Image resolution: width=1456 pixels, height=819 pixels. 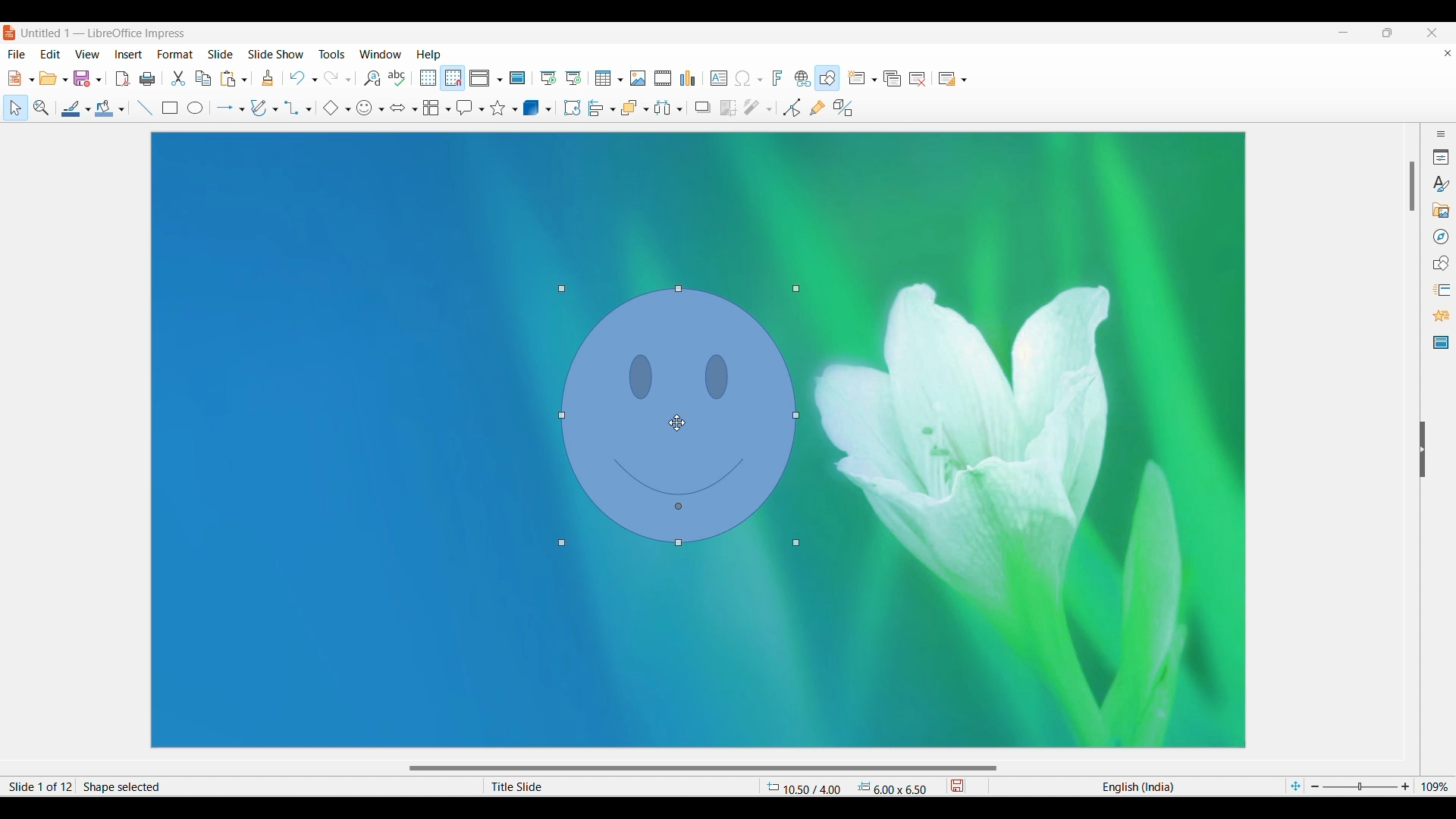 What do you see at coordinates (87, 53) in the screenshot?
I see `View` at bounding box center [87, 53].